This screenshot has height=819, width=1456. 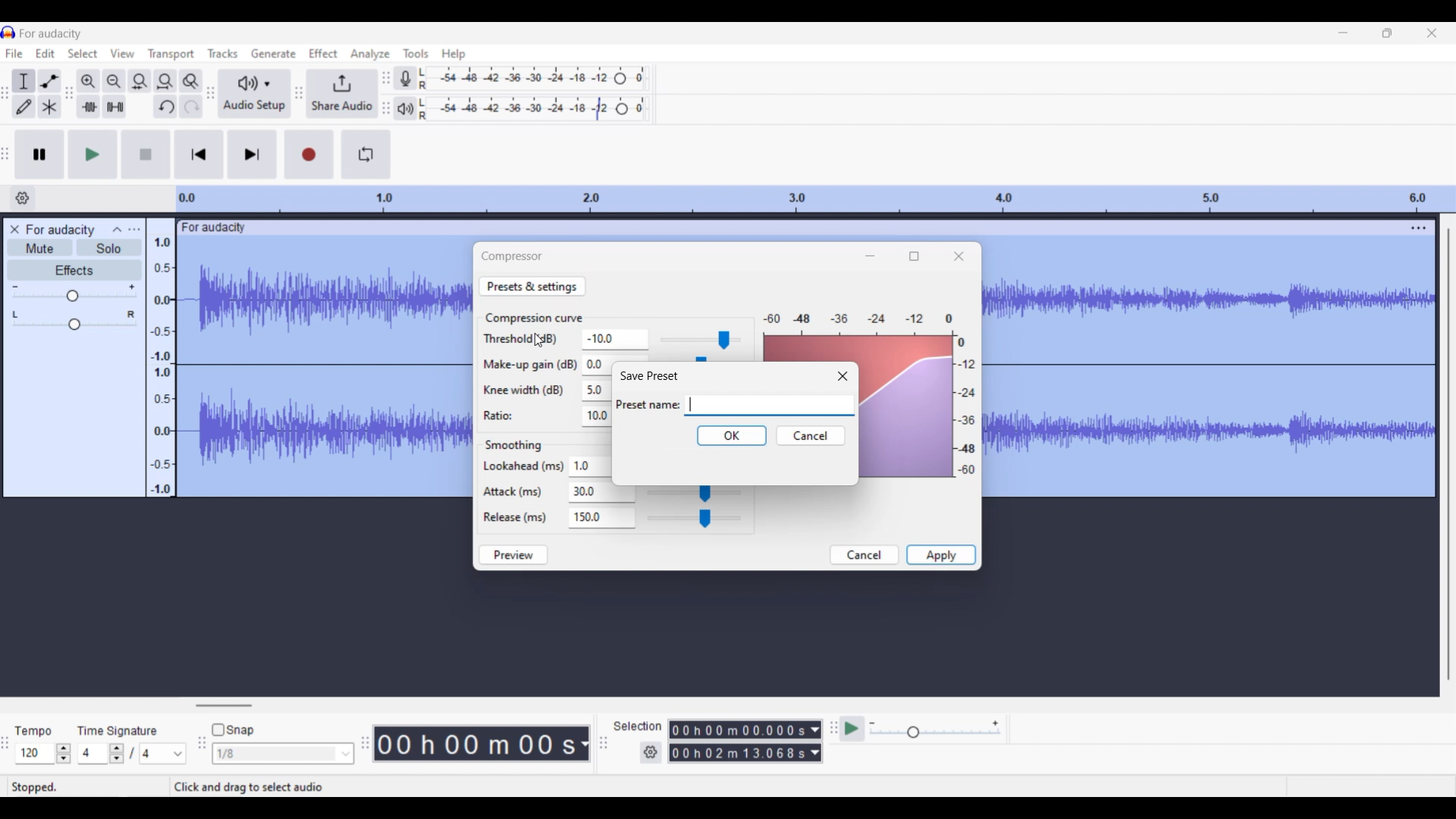 What do you see at coordinates (1343, 33) in the screenshot?
I see `Minimize ` at bounding box center [1343, 33].